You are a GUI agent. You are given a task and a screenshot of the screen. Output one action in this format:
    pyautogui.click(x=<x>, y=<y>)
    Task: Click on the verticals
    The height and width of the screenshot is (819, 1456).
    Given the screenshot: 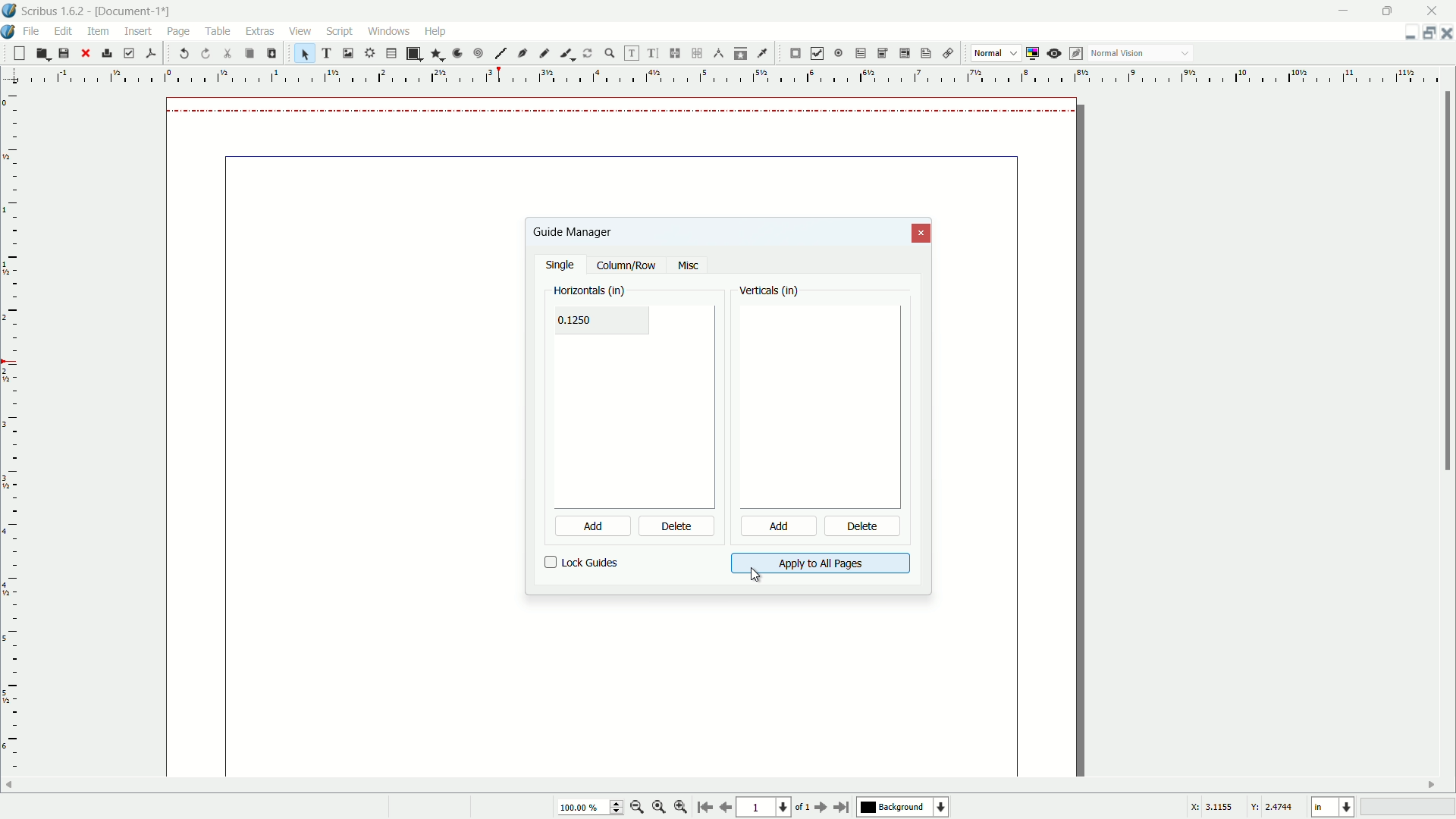 What is the action you would take?
    pyautogui.click(x=770, y=292)
    